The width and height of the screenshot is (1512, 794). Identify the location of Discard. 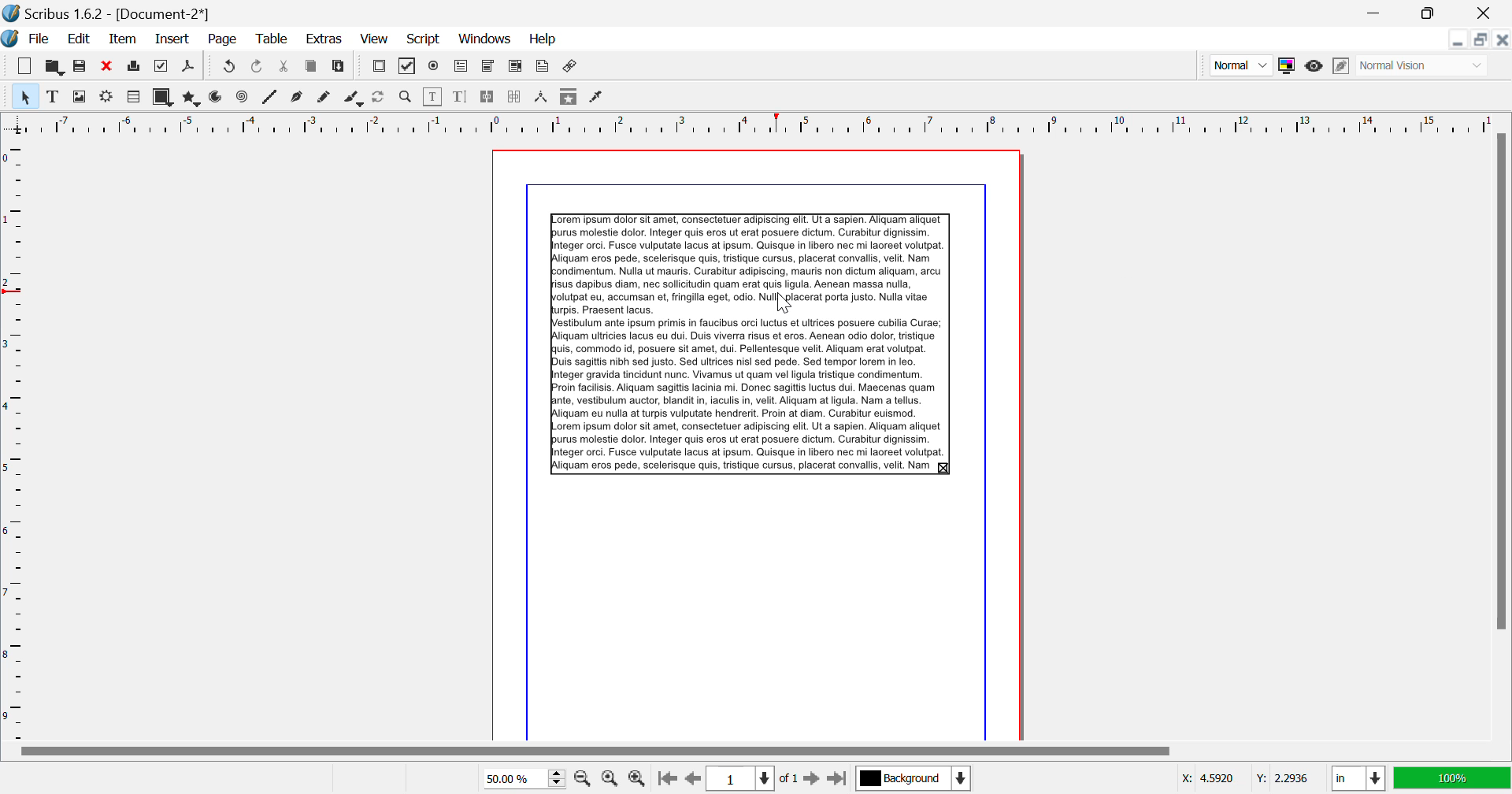
(107, 66).